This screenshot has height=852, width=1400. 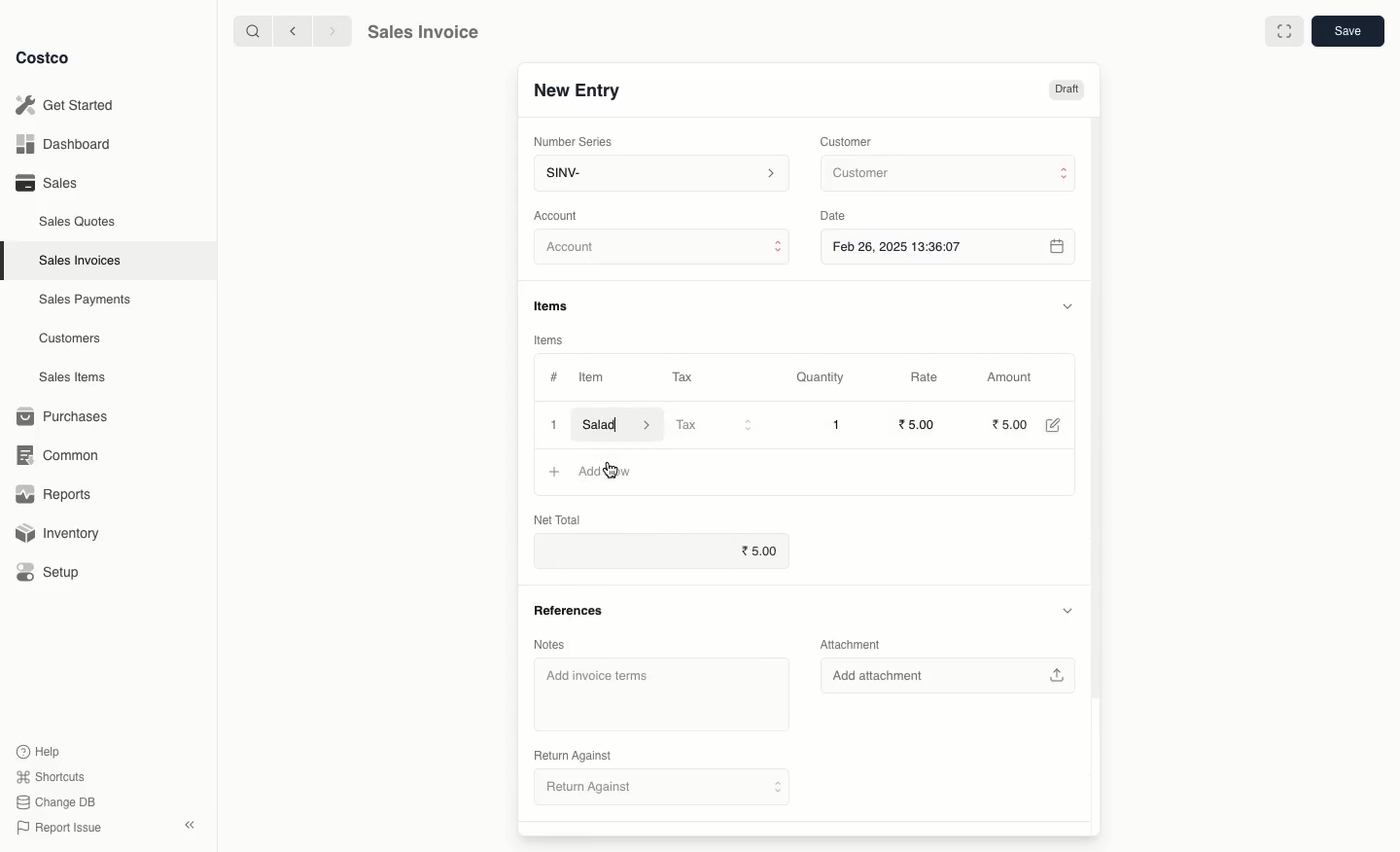 What do you see at coordinates (594, 379) in the screenshot?
I see `Item` at bounding box center [594, 379].